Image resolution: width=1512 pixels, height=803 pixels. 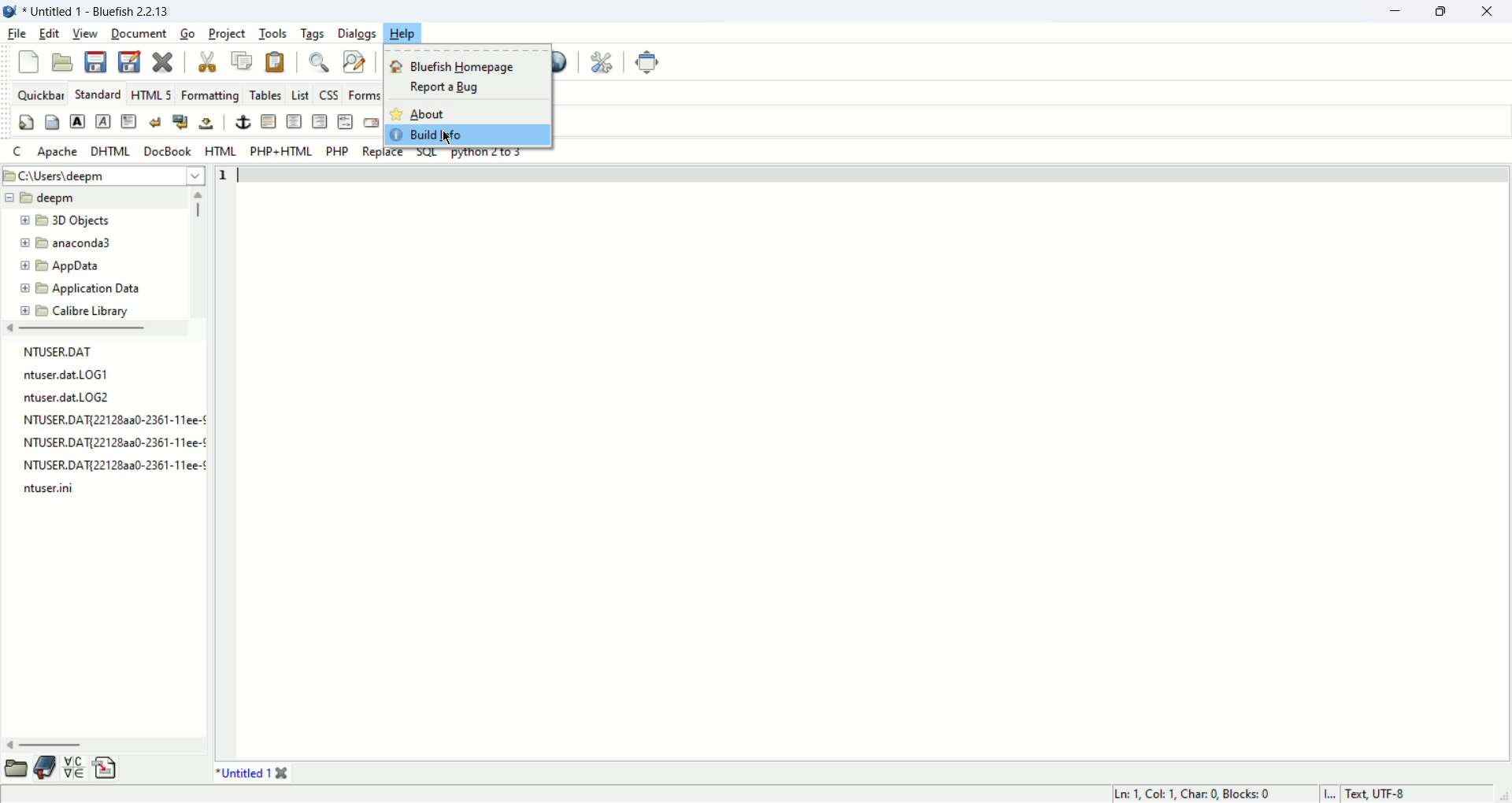 What do you see at coordinates (111, 153) in the screenshot?
I see `DHTML` at bounding box center [111, 153].